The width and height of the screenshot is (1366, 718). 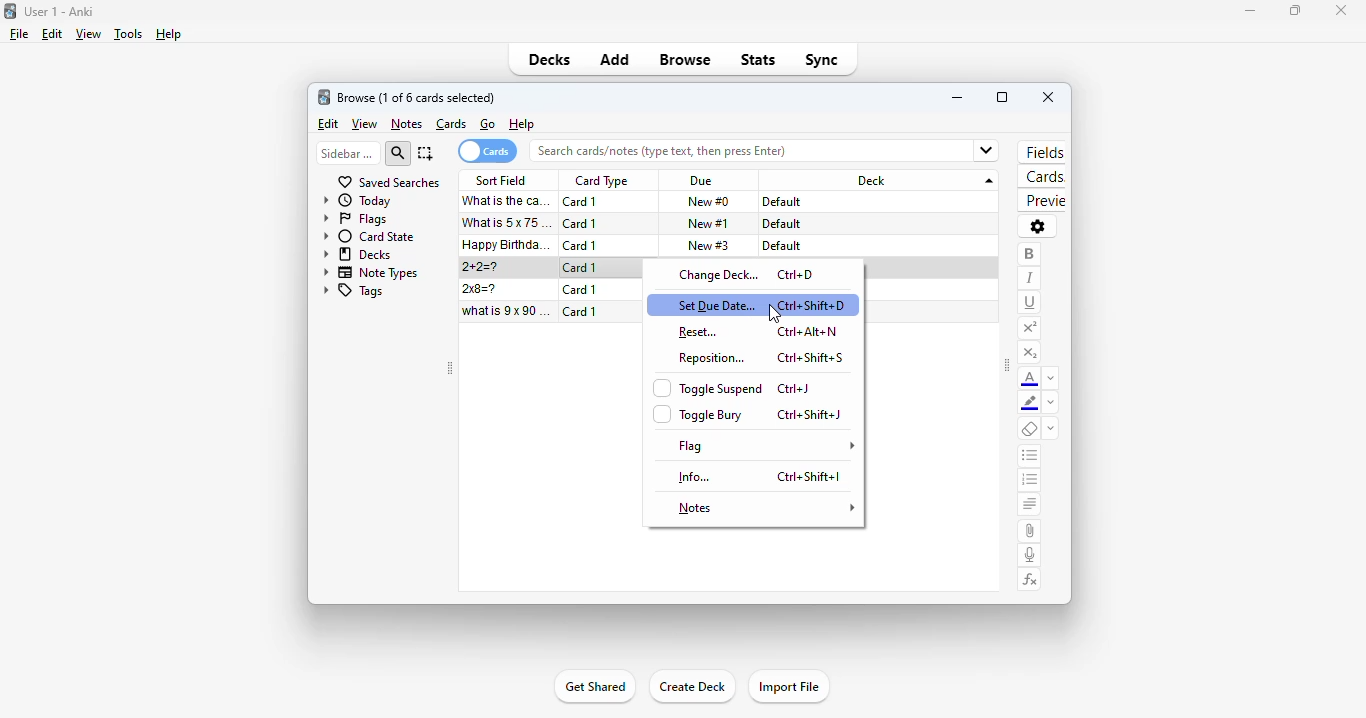 I want to click on 2+2=?, so click(x=482, y=267).